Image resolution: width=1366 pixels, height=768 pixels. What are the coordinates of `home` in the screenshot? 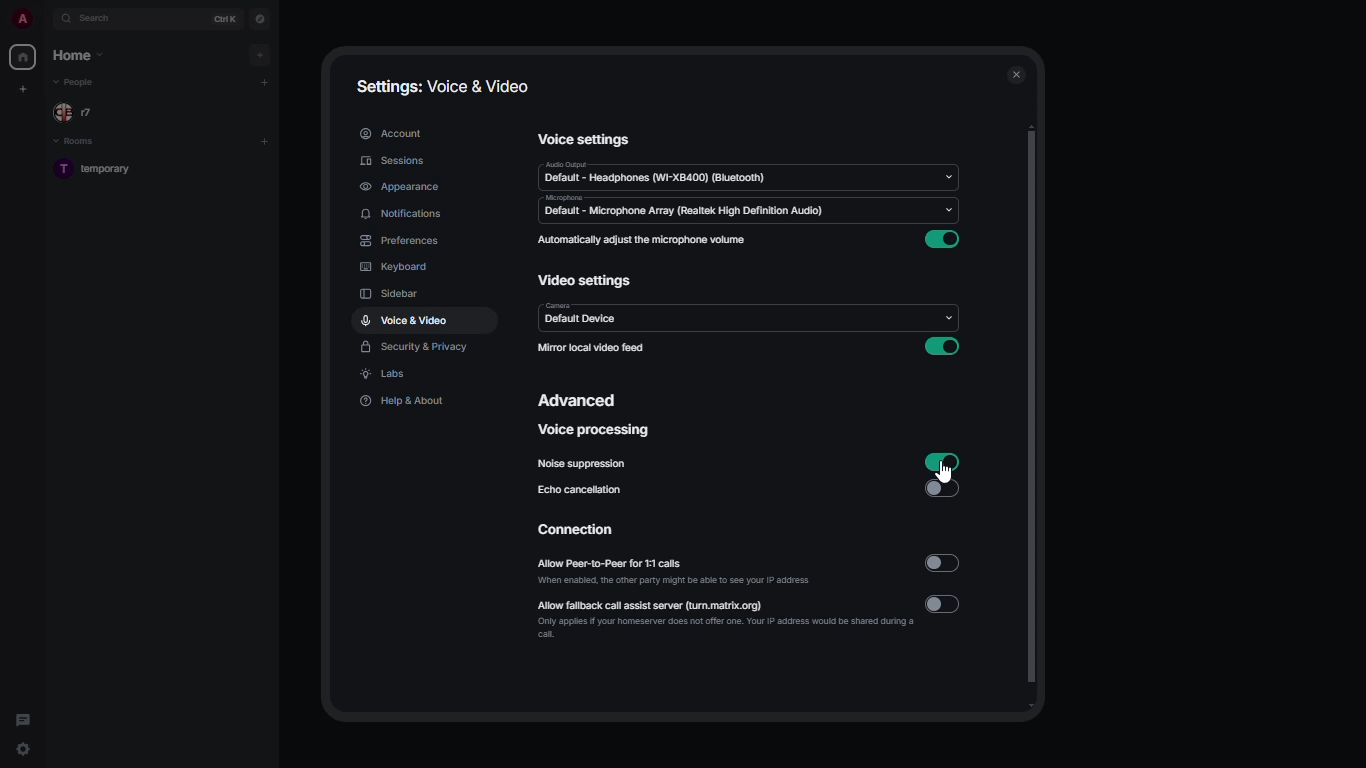 It's located at (77, 57).